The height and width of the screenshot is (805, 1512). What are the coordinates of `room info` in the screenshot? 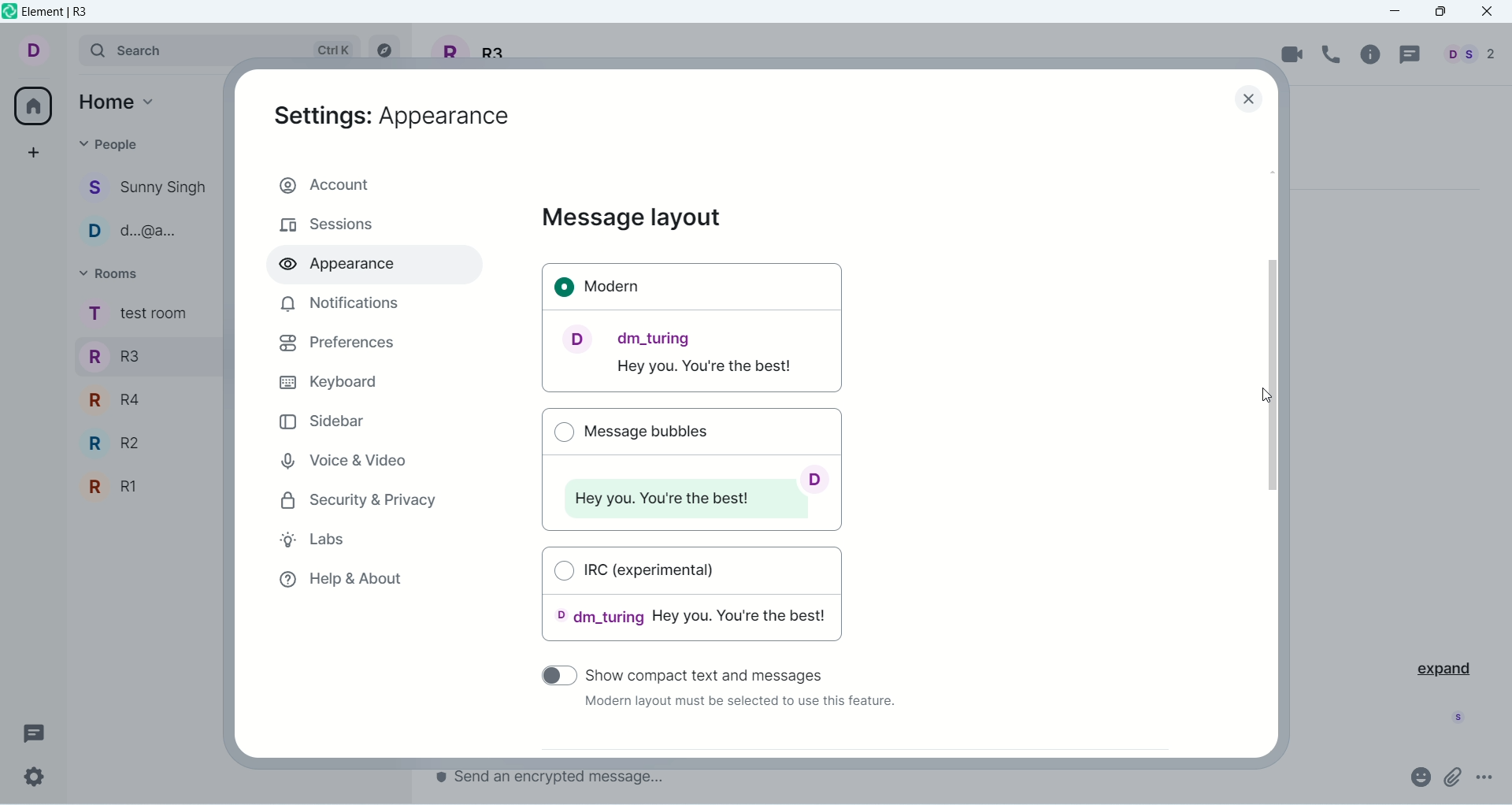 It's located at (1373, 54).